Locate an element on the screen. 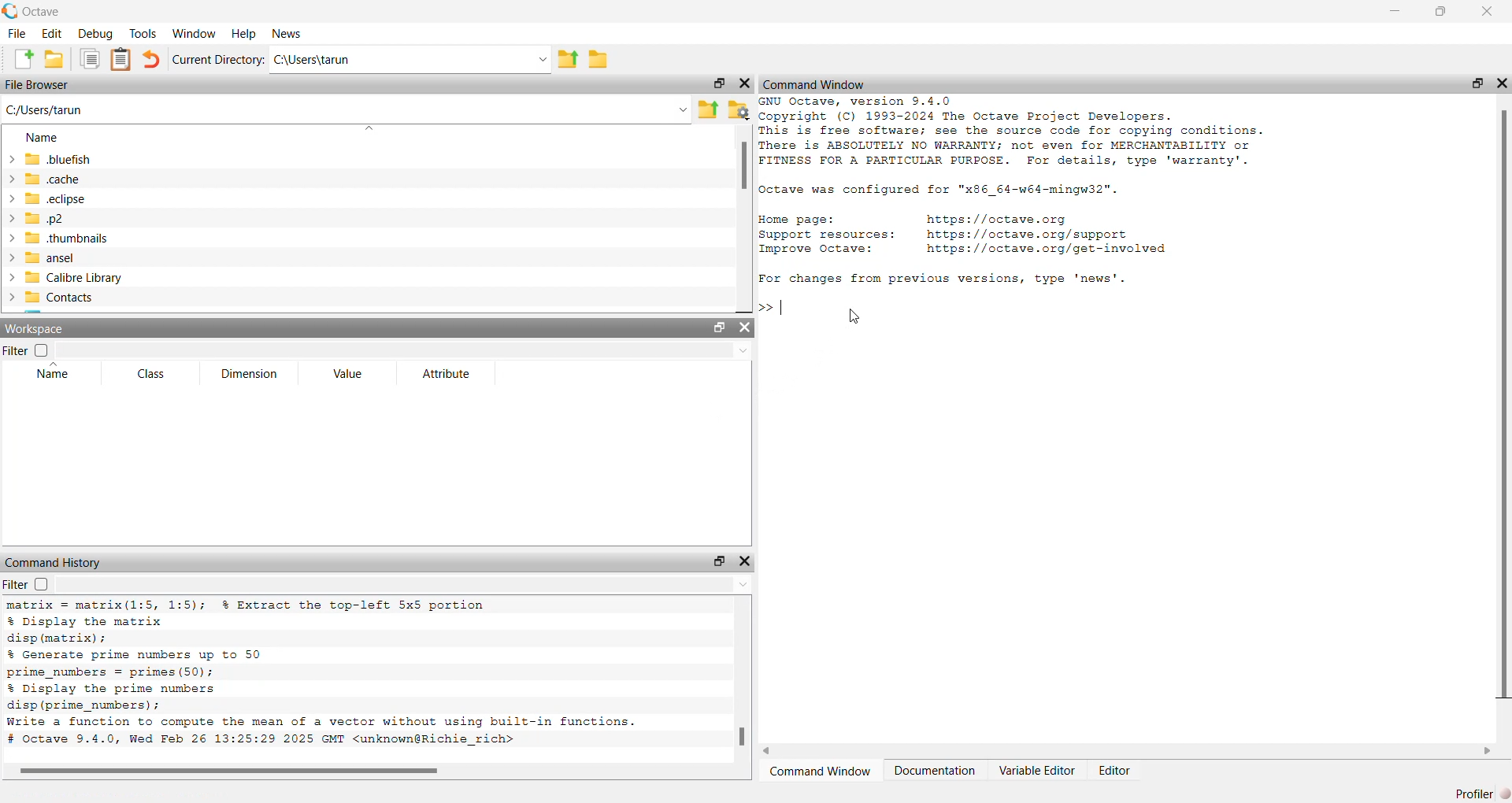 This screenshot has height=803, width=1512. maximise is located at coordinates (1440, 9).